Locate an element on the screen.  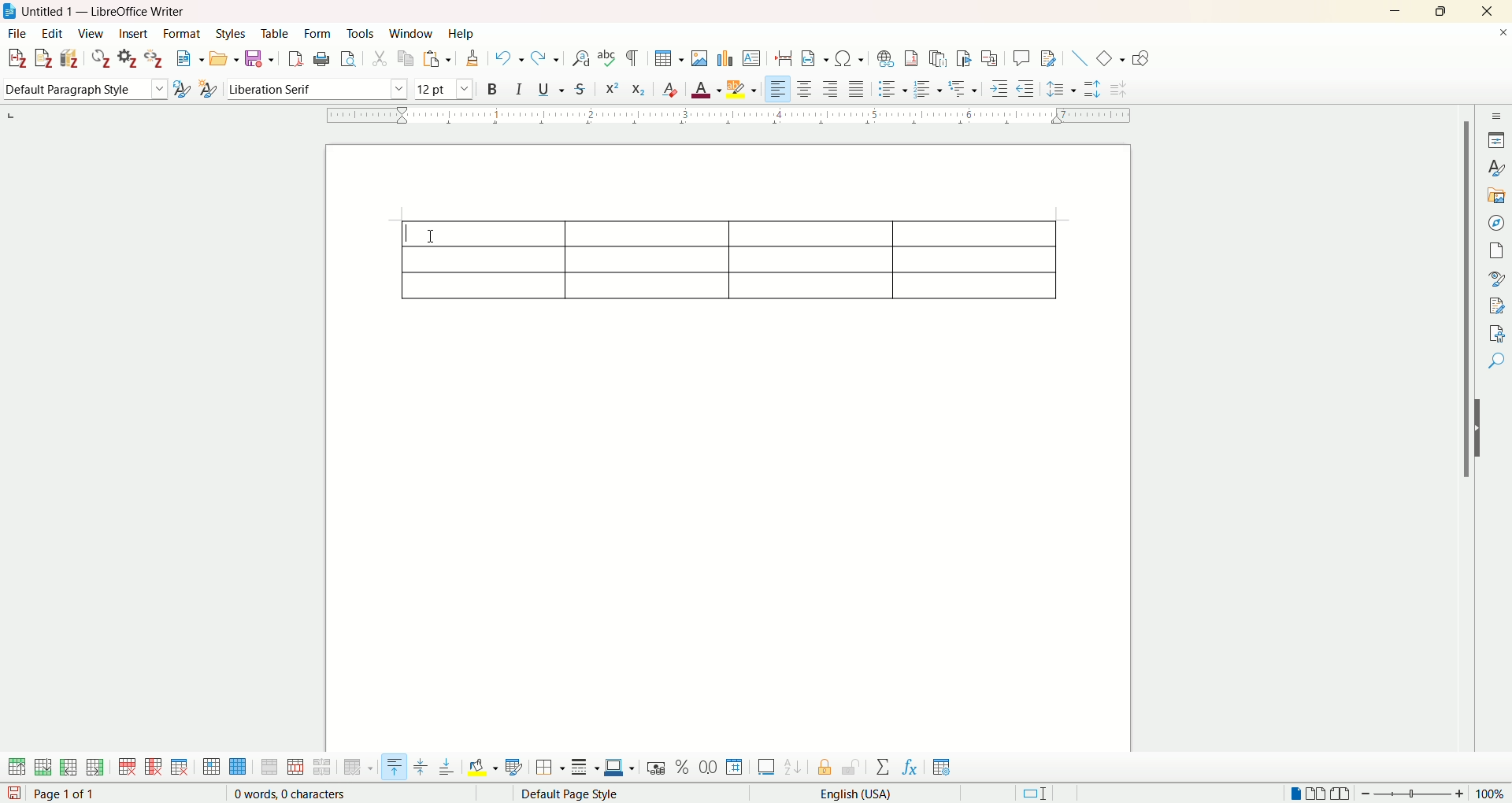
insert cross-reference is located at coordinates (993, 57).